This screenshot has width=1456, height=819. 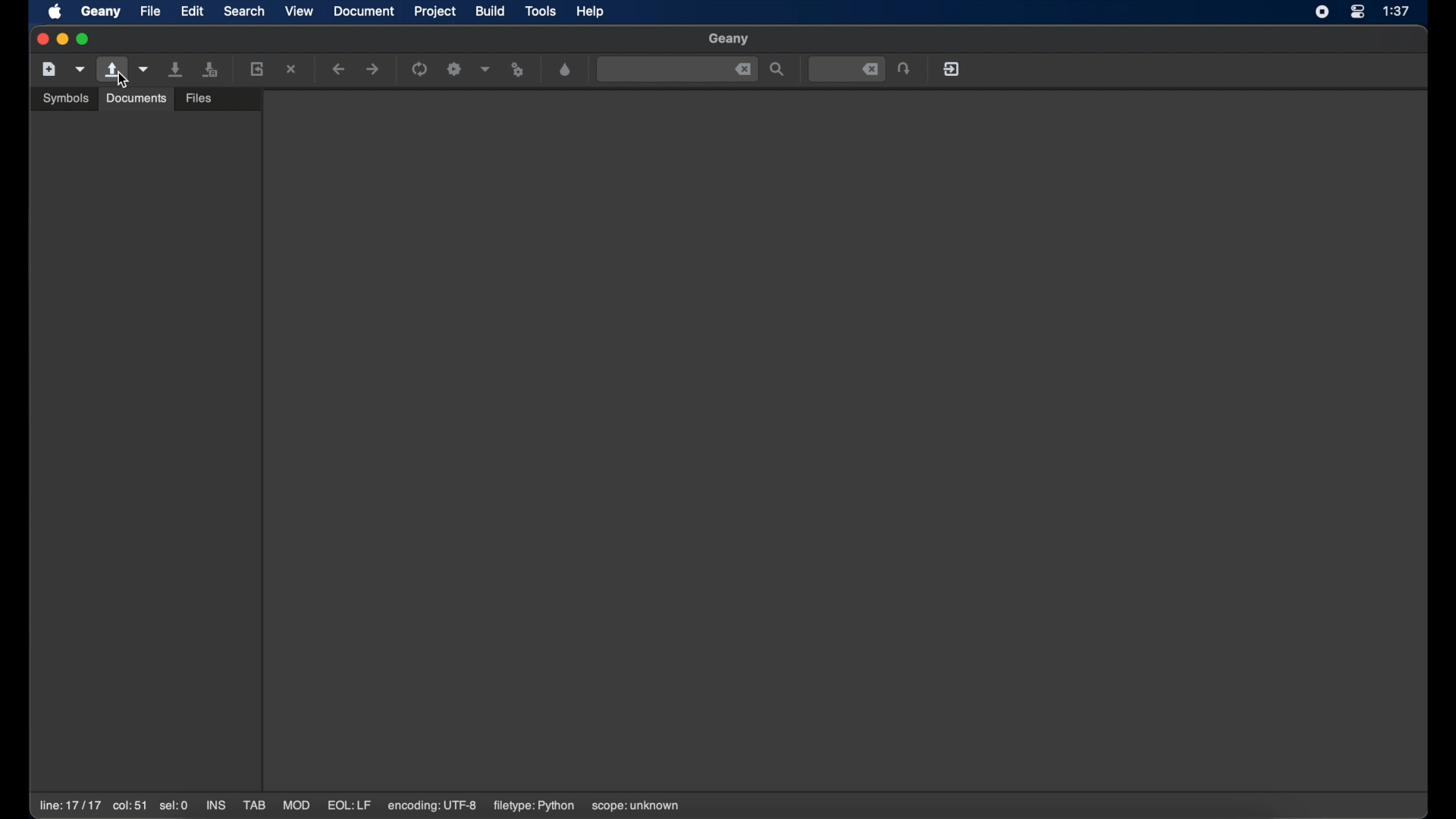 What do you see at coordinates (778, 70) in the screenshot?
I see `find the entered text in the current file` at bounding box center [778, 70].